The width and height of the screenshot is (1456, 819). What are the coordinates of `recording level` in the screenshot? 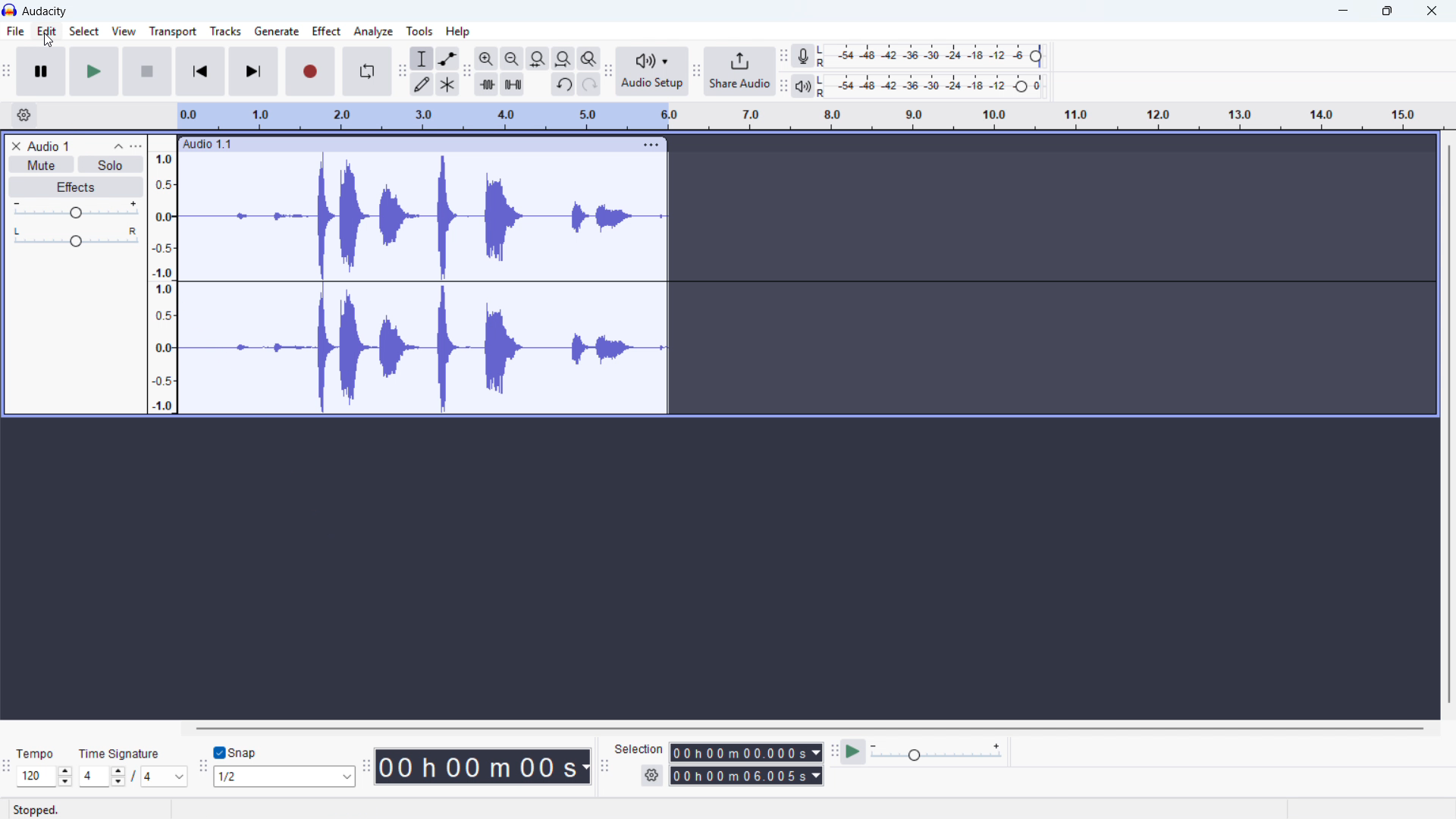 It's located at (934, 56).